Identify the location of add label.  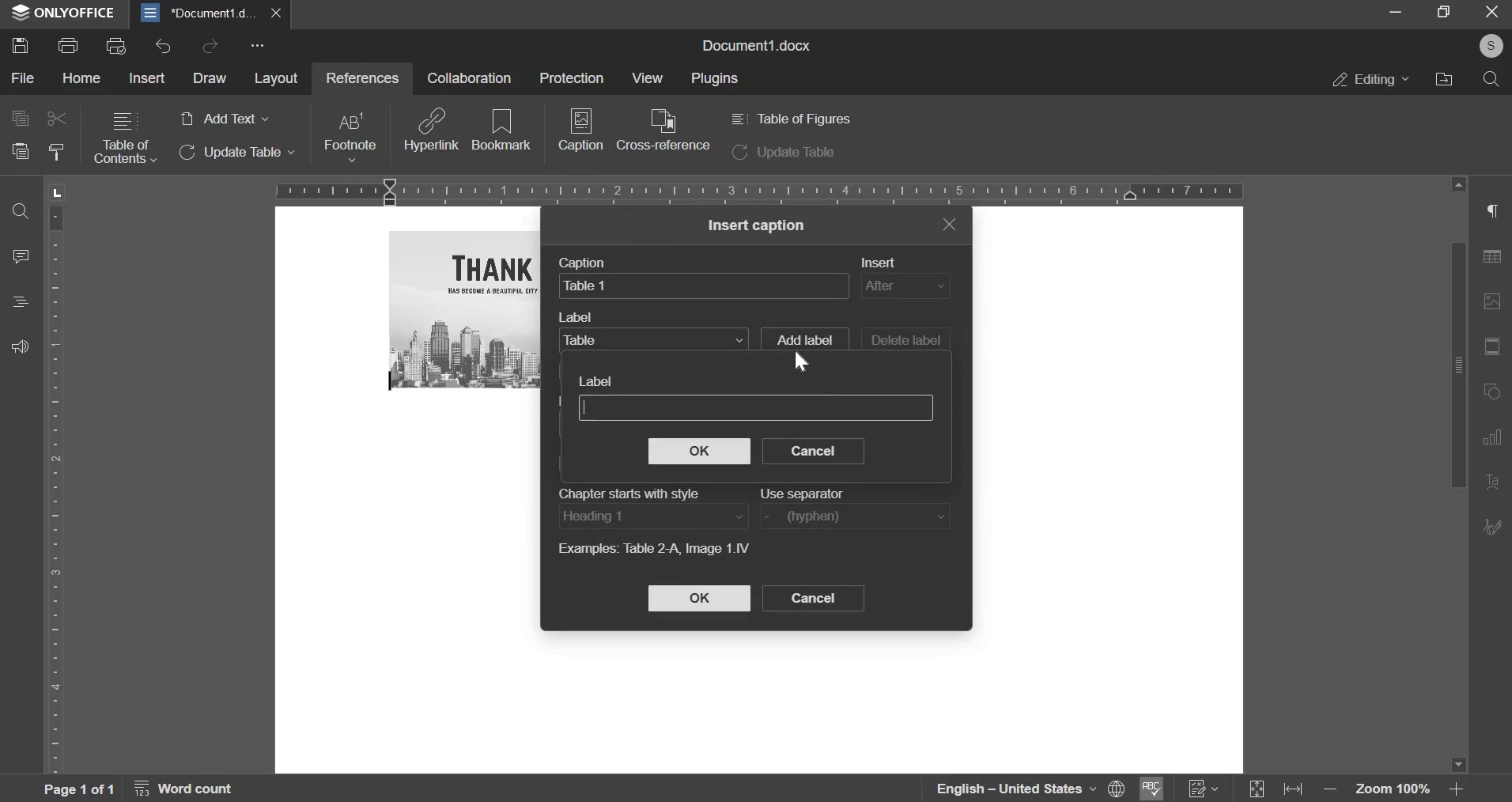
(803, 337).